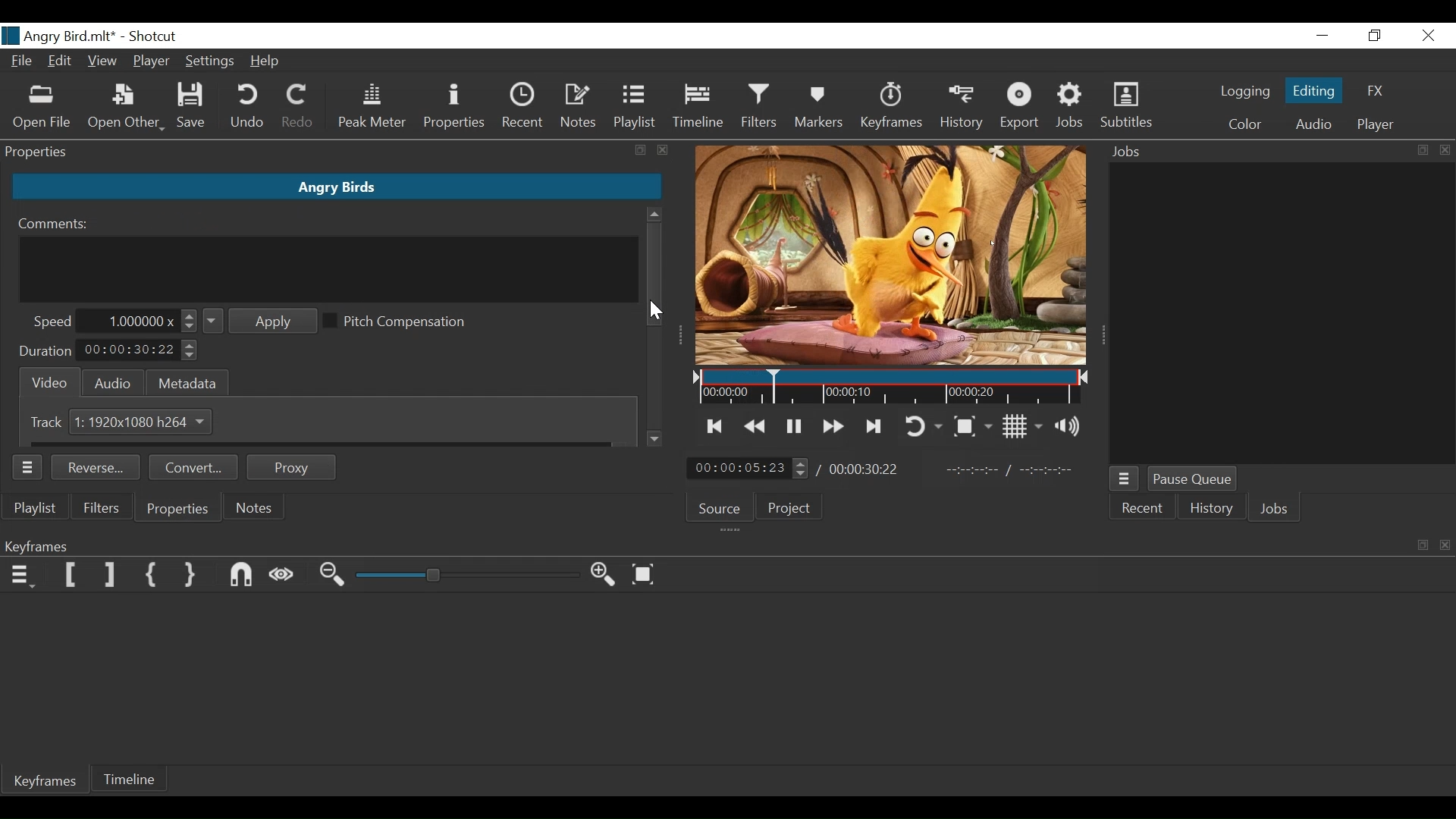 This screenshot has width=1456, height=819. What do you see at coordinates (755, 426) in the screenshot?
I see `Play backward quickly` at bounding box center [755, 426].